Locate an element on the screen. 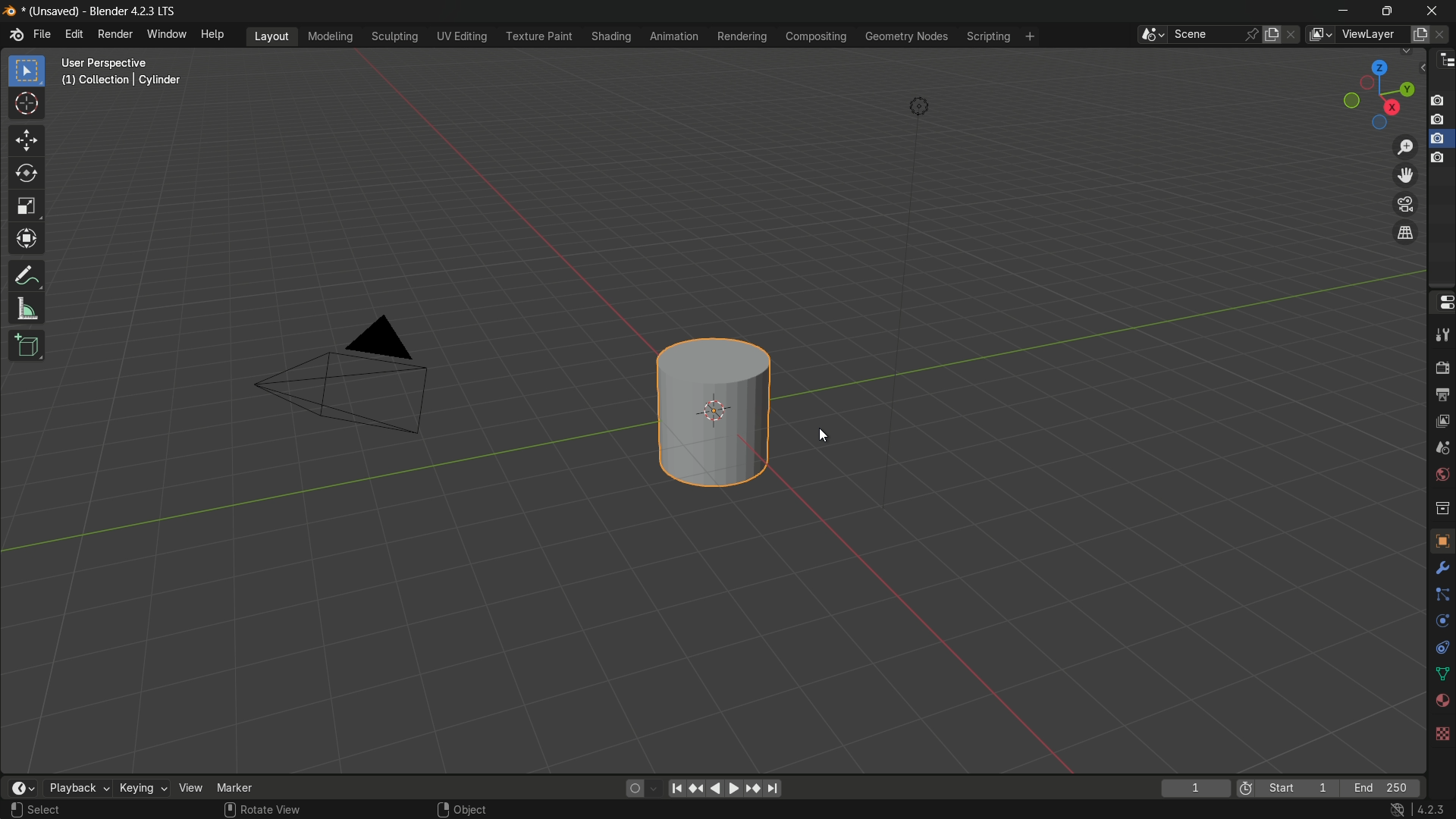  light is located at coordinates (921, 107).